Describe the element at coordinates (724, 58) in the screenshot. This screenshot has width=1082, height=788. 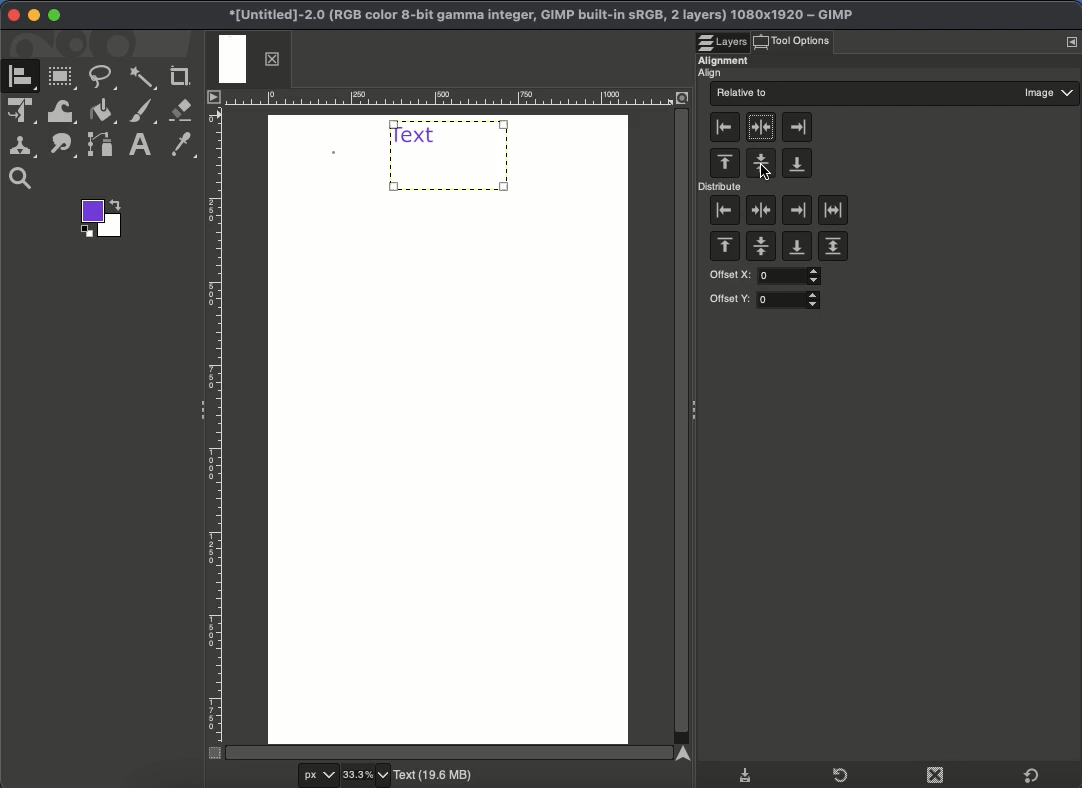
I see `Alignment` at that location.